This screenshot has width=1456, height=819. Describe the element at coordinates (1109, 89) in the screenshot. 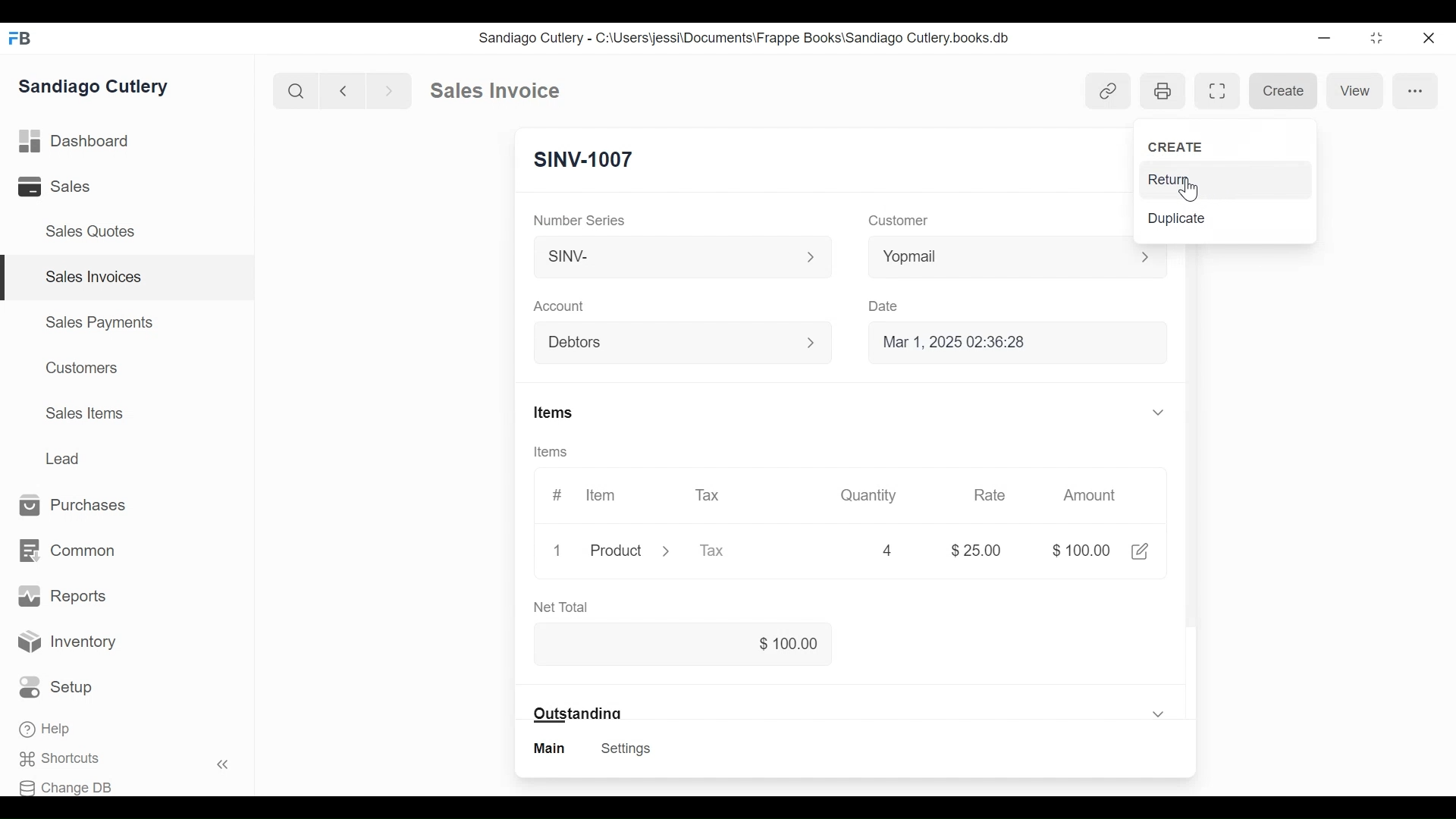

I see `Show linked entries` at that location.